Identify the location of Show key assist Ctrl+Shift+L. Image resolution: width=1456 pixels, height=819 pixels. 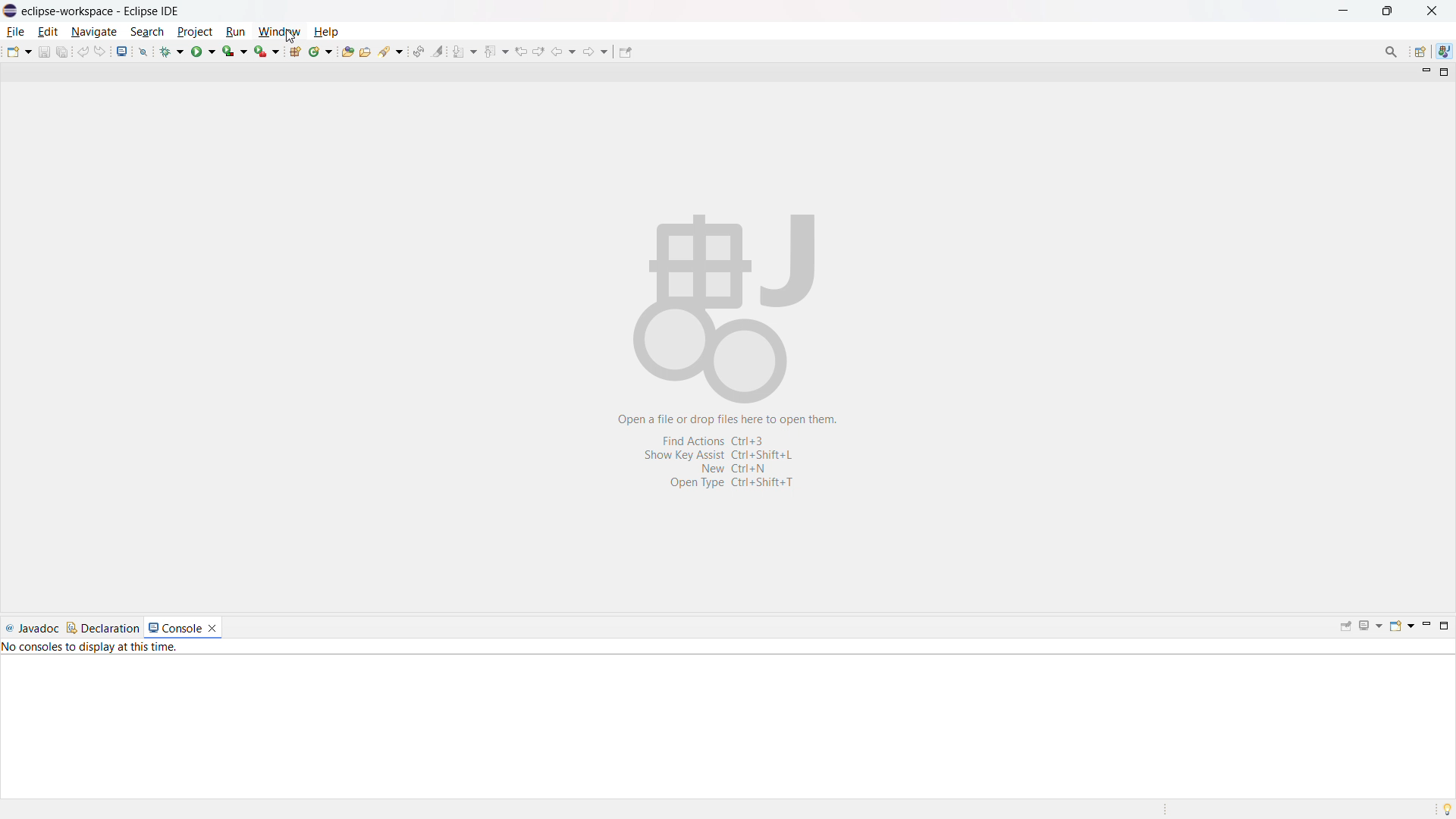
(723, 455).